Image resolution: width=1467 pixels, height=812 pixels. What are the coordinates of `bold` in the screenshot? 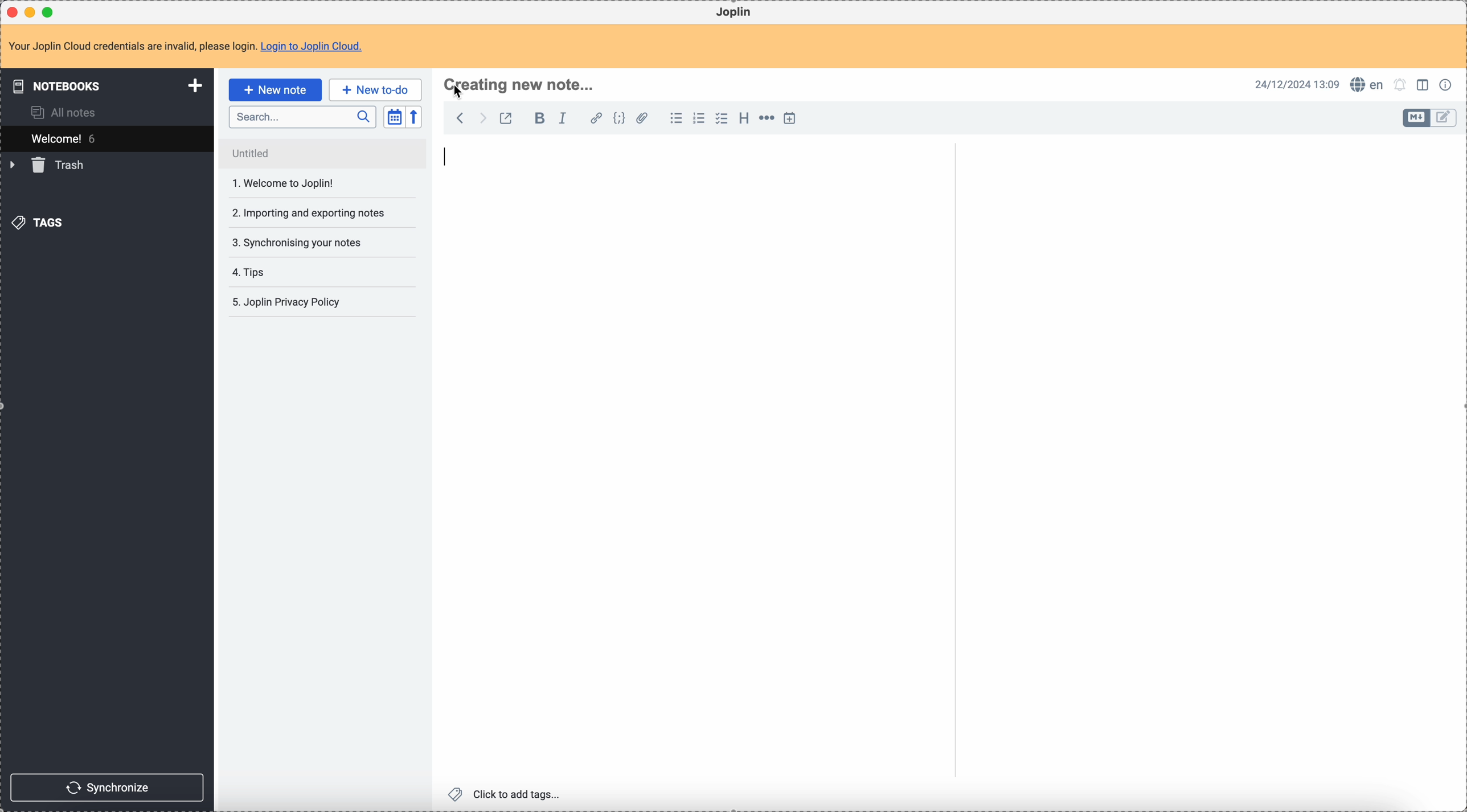 It's located at (536, 119).